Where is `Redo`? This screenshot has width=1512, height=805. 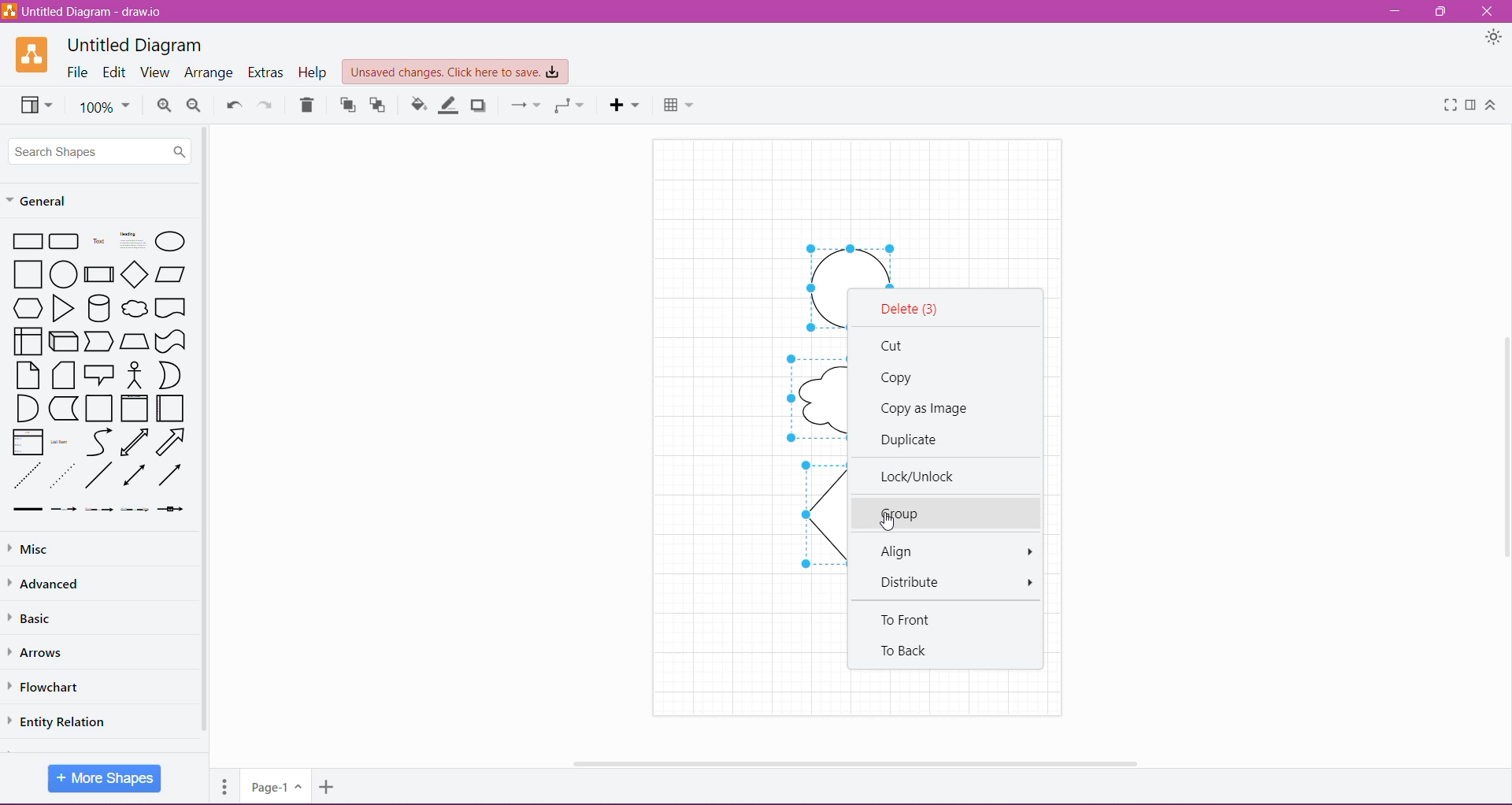 Redo is located at coordinates (265, 104).